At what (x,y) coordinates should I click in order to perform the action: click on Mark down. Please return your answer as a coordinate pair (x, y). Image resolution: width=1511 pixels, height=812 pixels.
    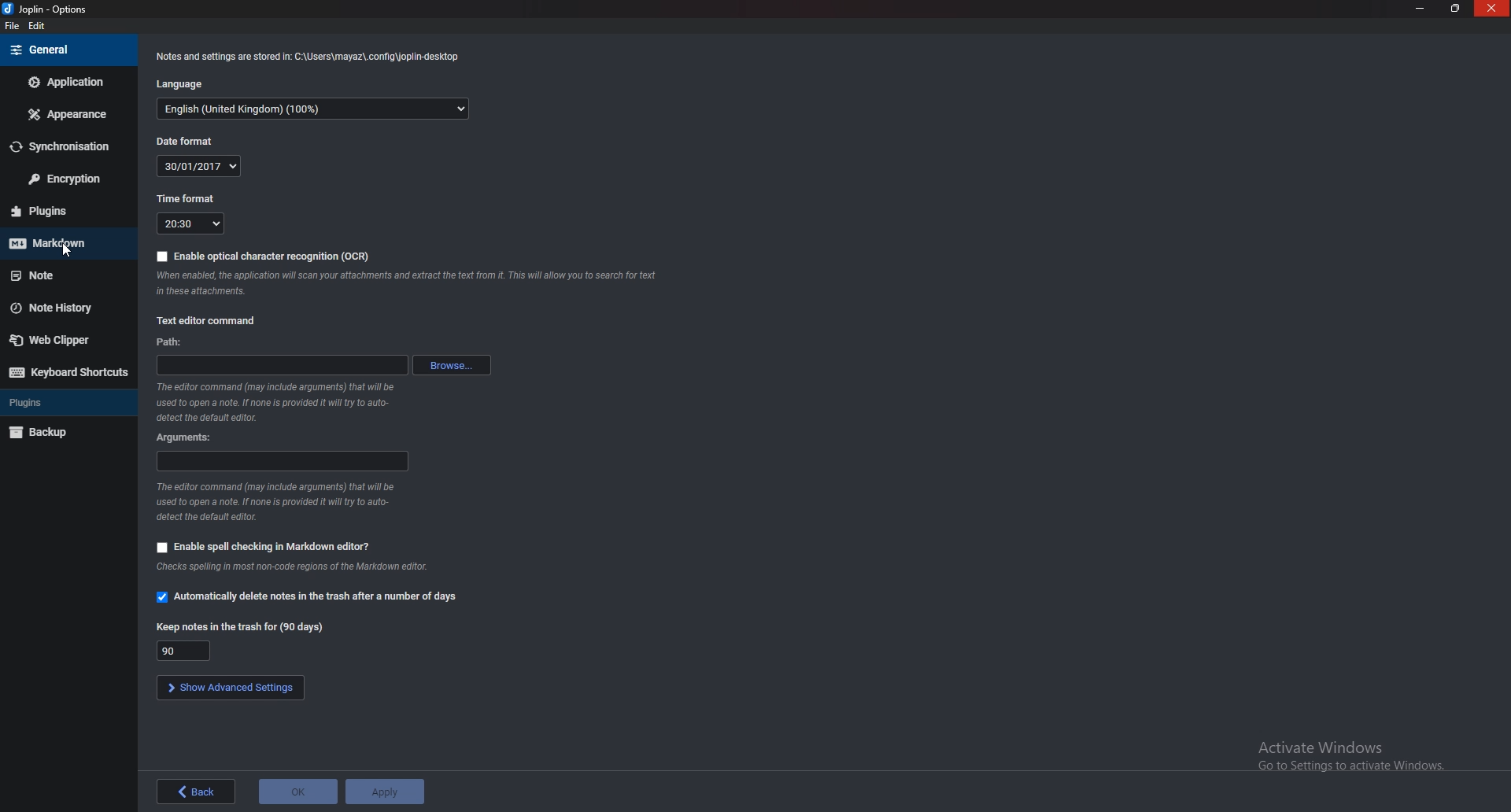
    Looking at the image, I should click on (65, 241).